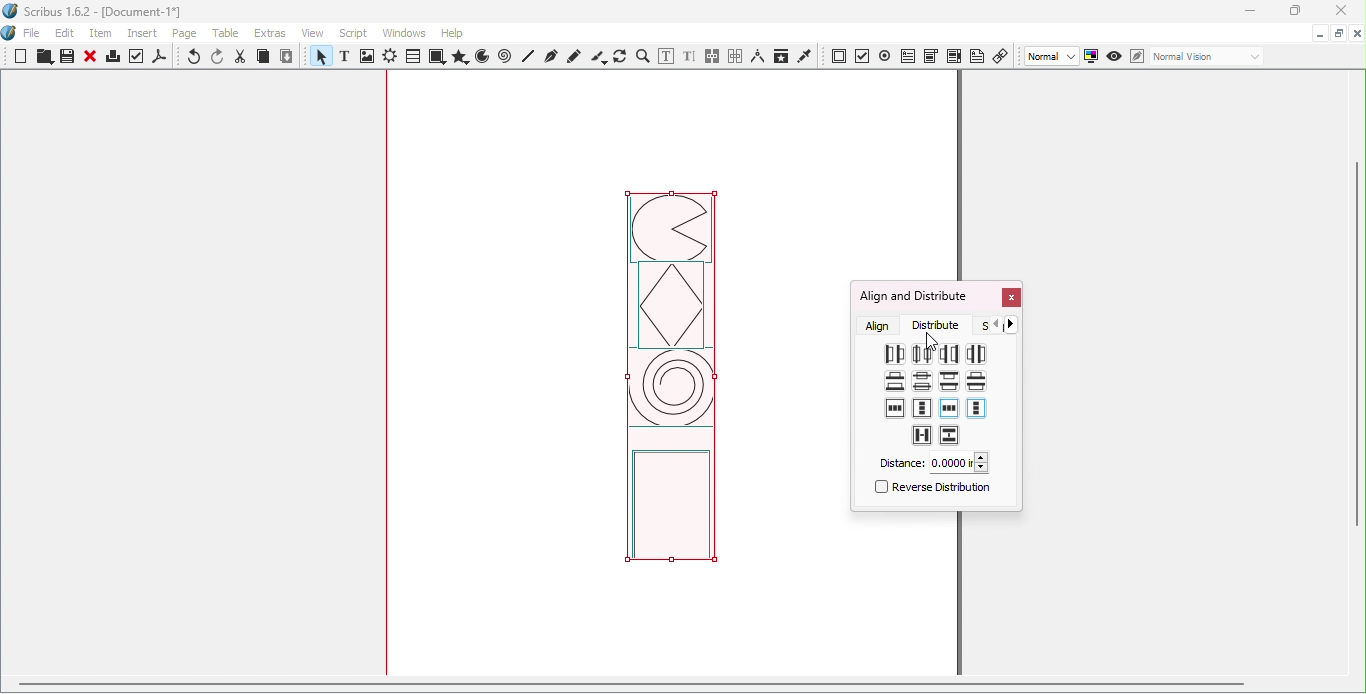  Describe the element at coordinates (507, 57) in the screenshot. I see `Spiral` at that location.